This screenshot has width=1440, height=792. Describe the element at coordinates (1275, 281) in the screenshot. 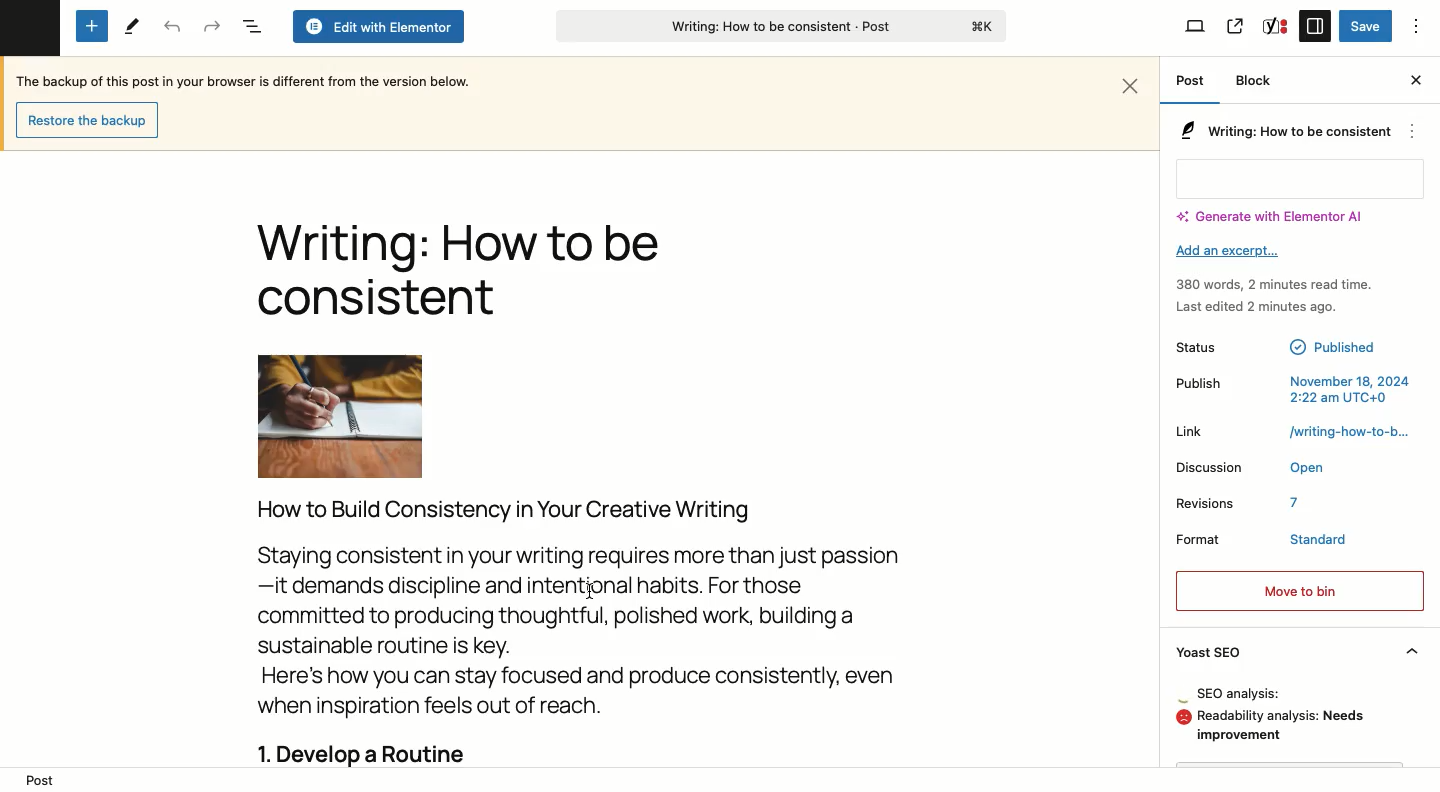

I see `380 words, 2 minutes read time.` at that location.